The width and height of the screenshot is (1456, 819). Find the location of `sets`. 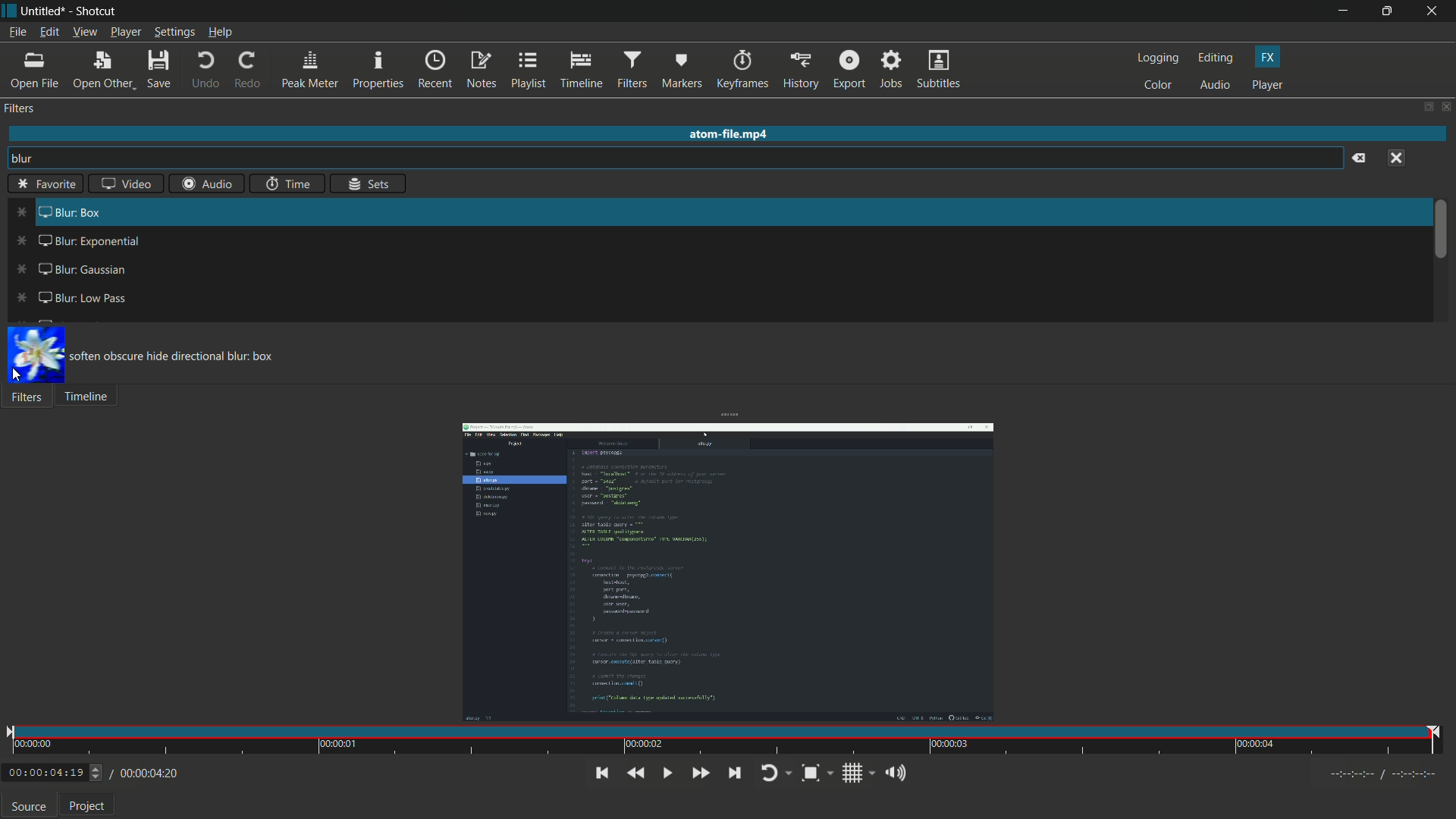

sets is located at coordinates (371, 185).